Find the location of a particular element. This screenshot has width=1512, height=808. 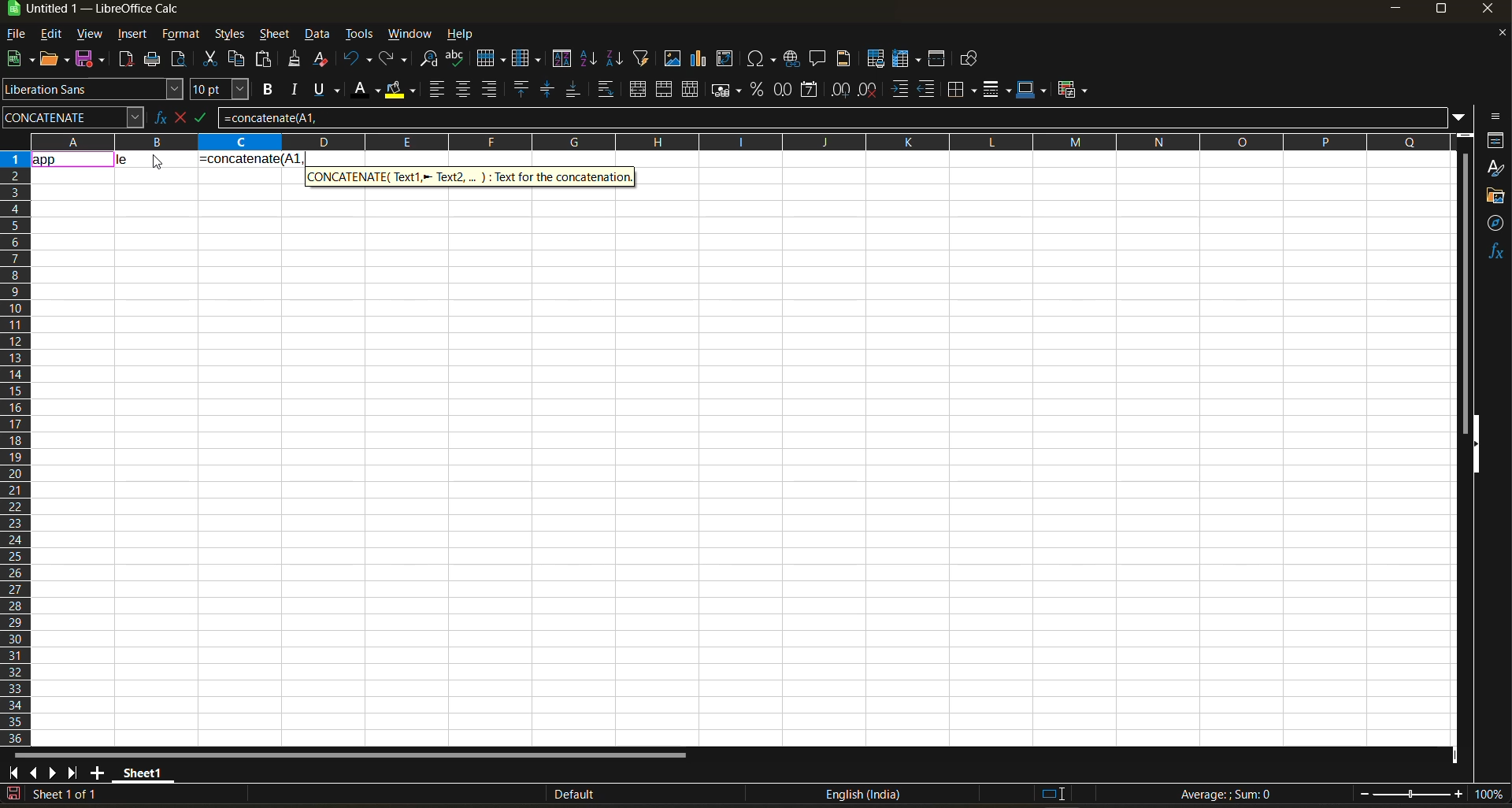

styles is located at coordinates (1495, 169).